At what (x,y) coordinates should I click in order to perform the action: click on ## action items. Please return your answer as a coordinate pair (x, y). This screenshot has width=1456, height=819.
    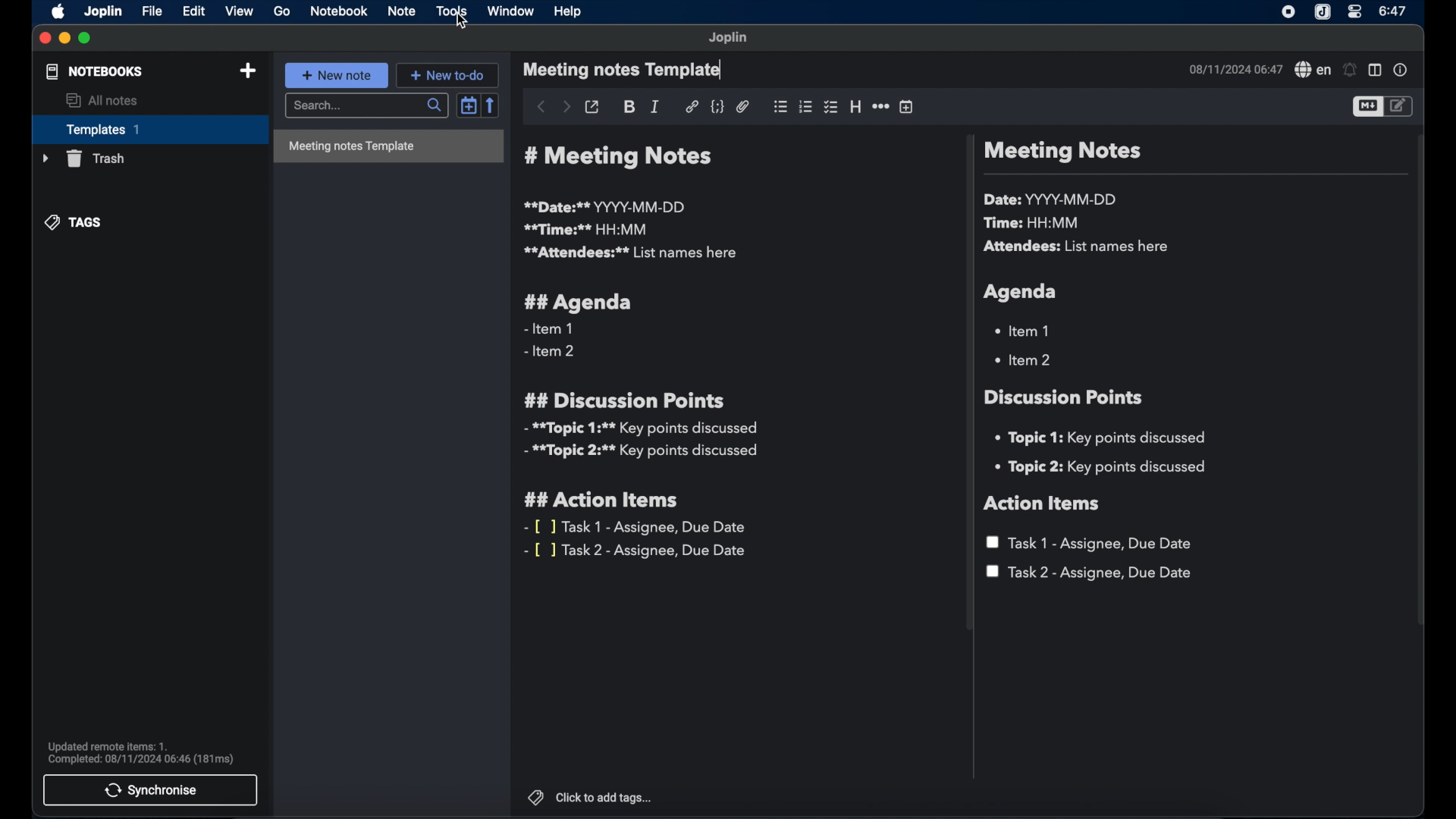
    Looking at the image, I should click on (605, 500).